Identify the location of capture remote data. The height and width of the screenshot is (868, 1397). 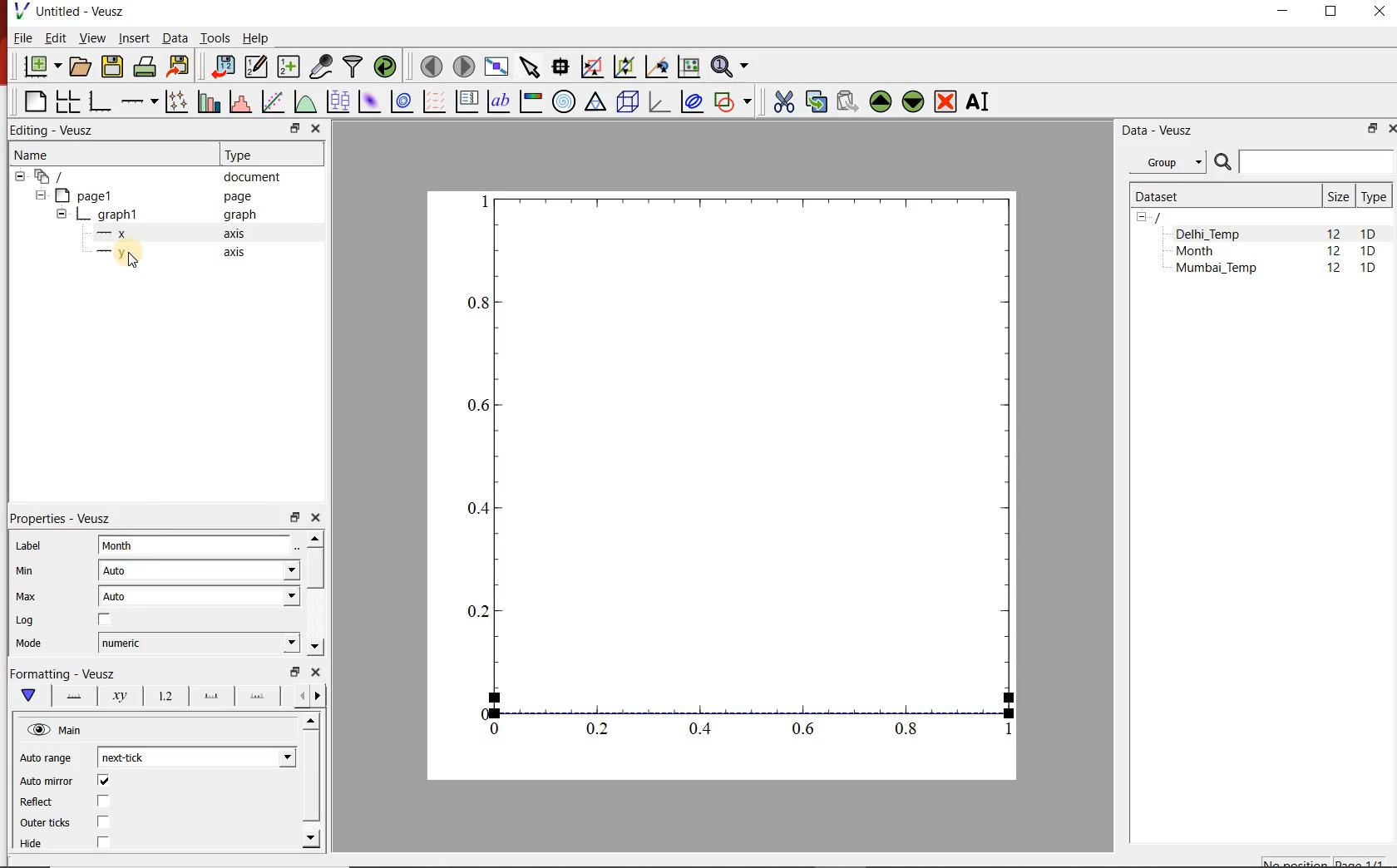
(322, 67).